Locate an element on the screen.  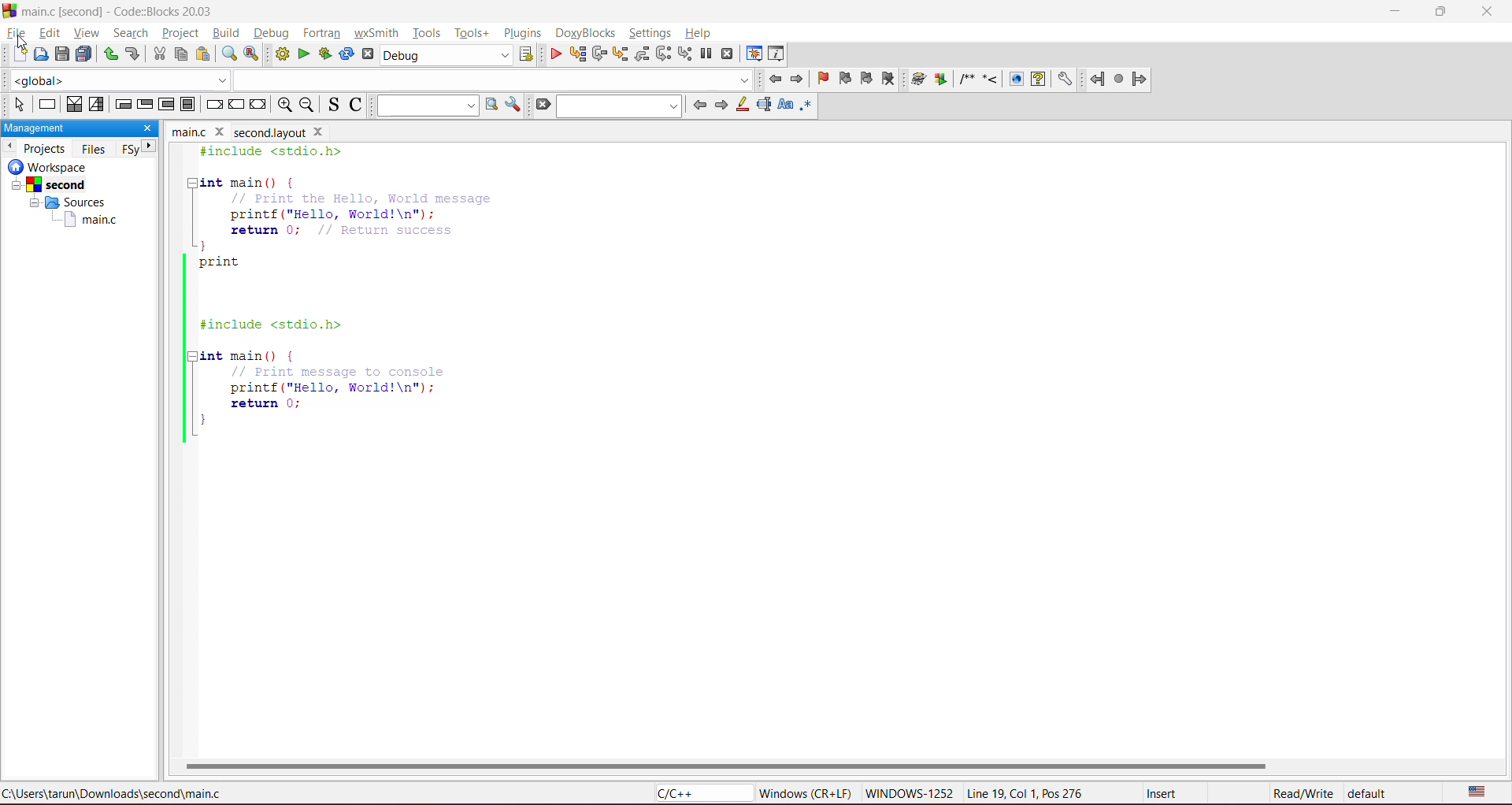
show options window is located at coordinates (516, 106).